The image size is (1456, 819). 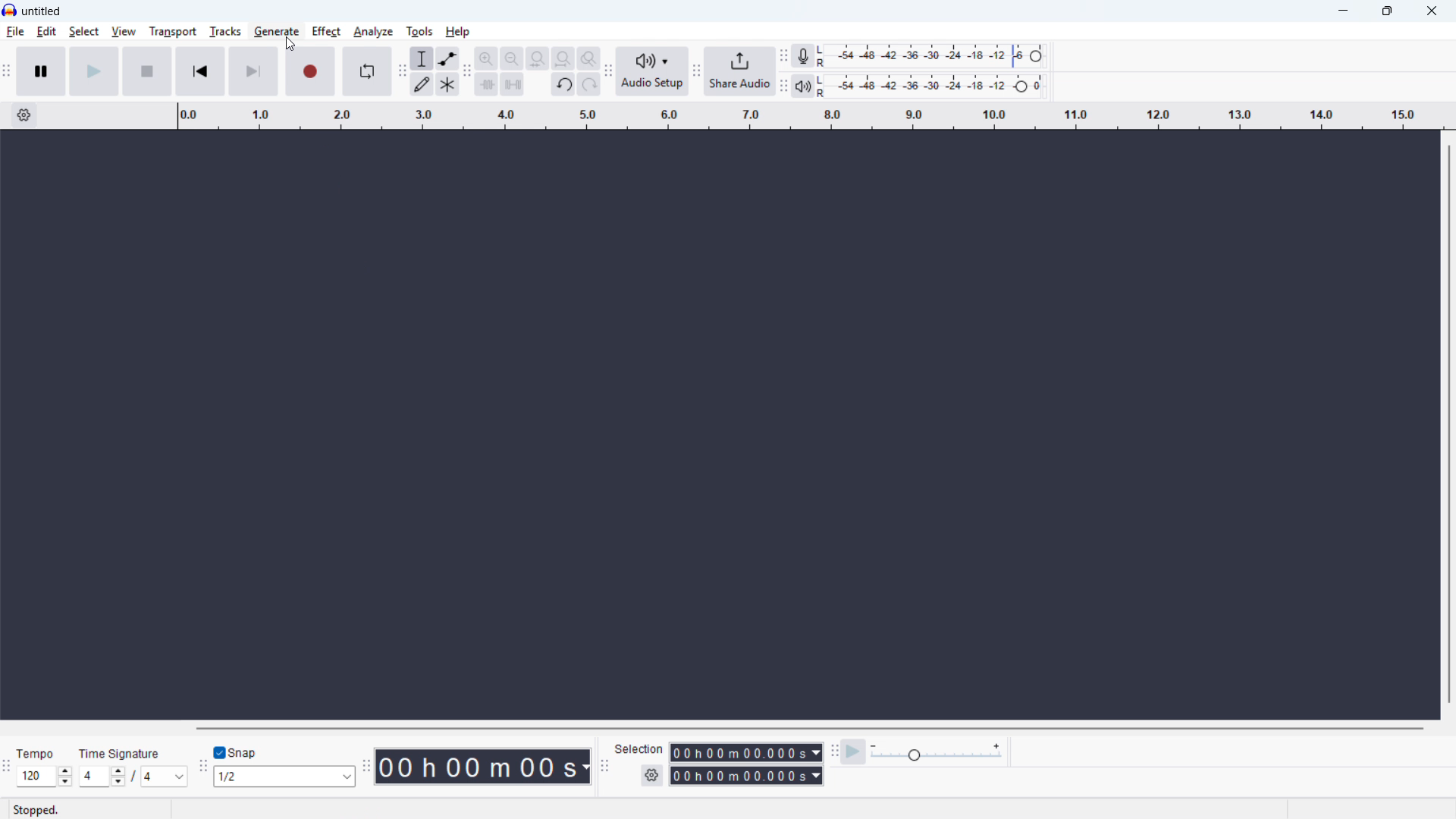 What do you see at coordinates (401, 72) in the screenshot?
I see `Tools toolbar ` at bounding box center [401, 72].